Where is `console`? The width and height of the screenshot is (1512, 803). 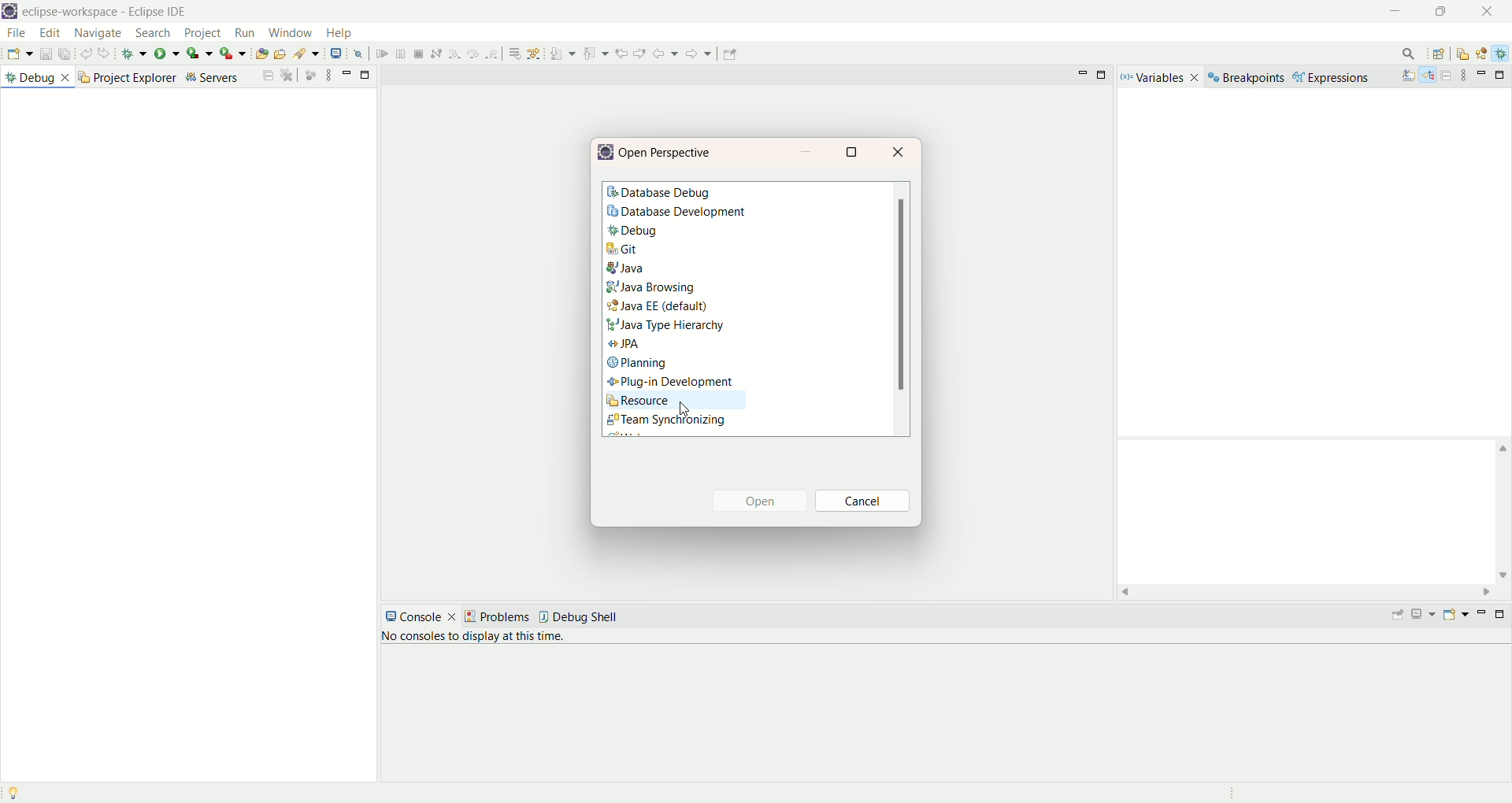
console is located at coordinates (423, 617).